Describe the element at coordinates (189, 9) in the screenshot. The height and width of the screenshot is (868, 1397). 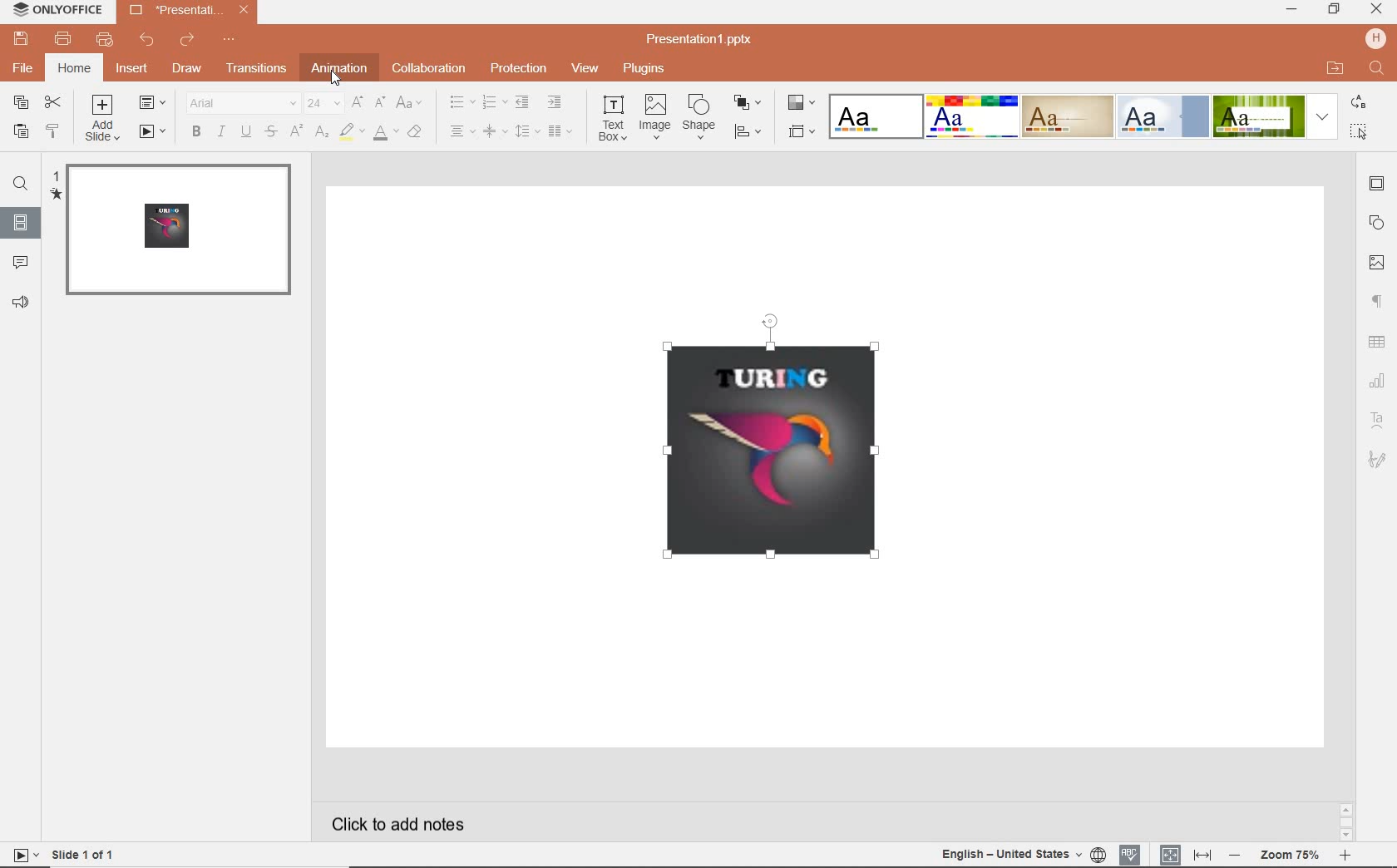
I see `presentation name` at that location.